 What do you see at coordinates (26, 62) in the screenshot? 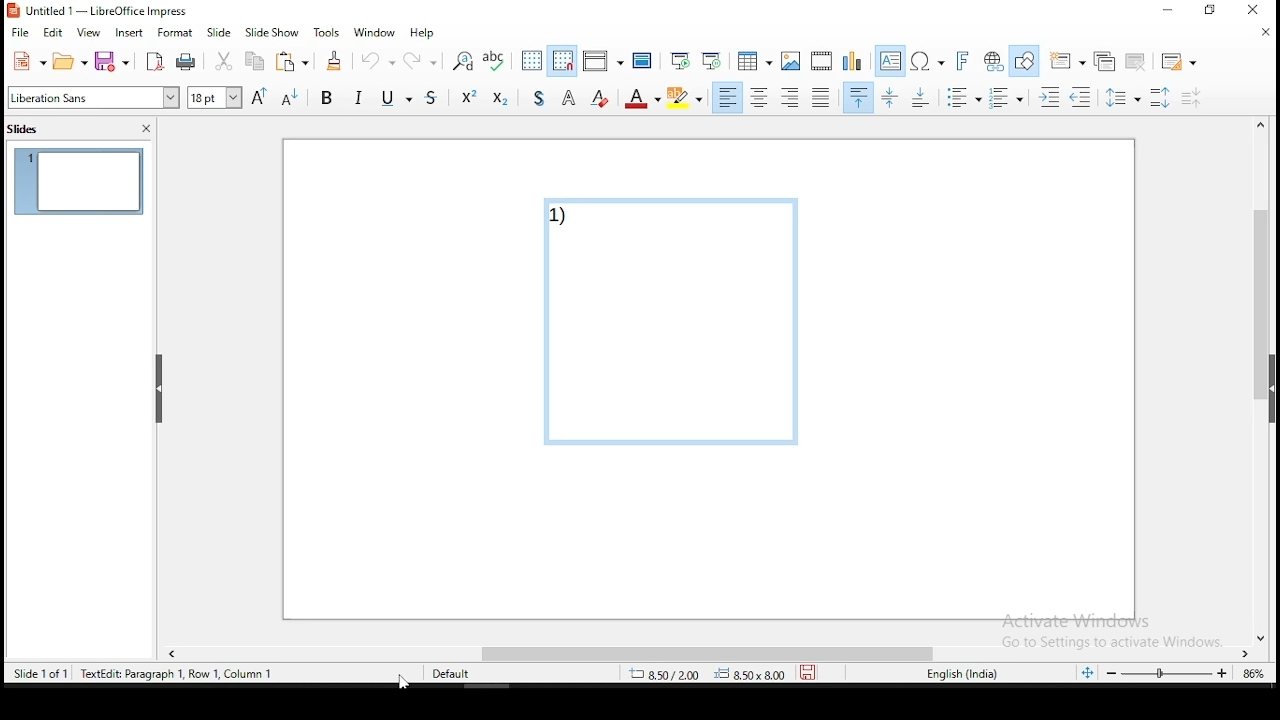
I see `new tool` at bounding box center [26, 62].